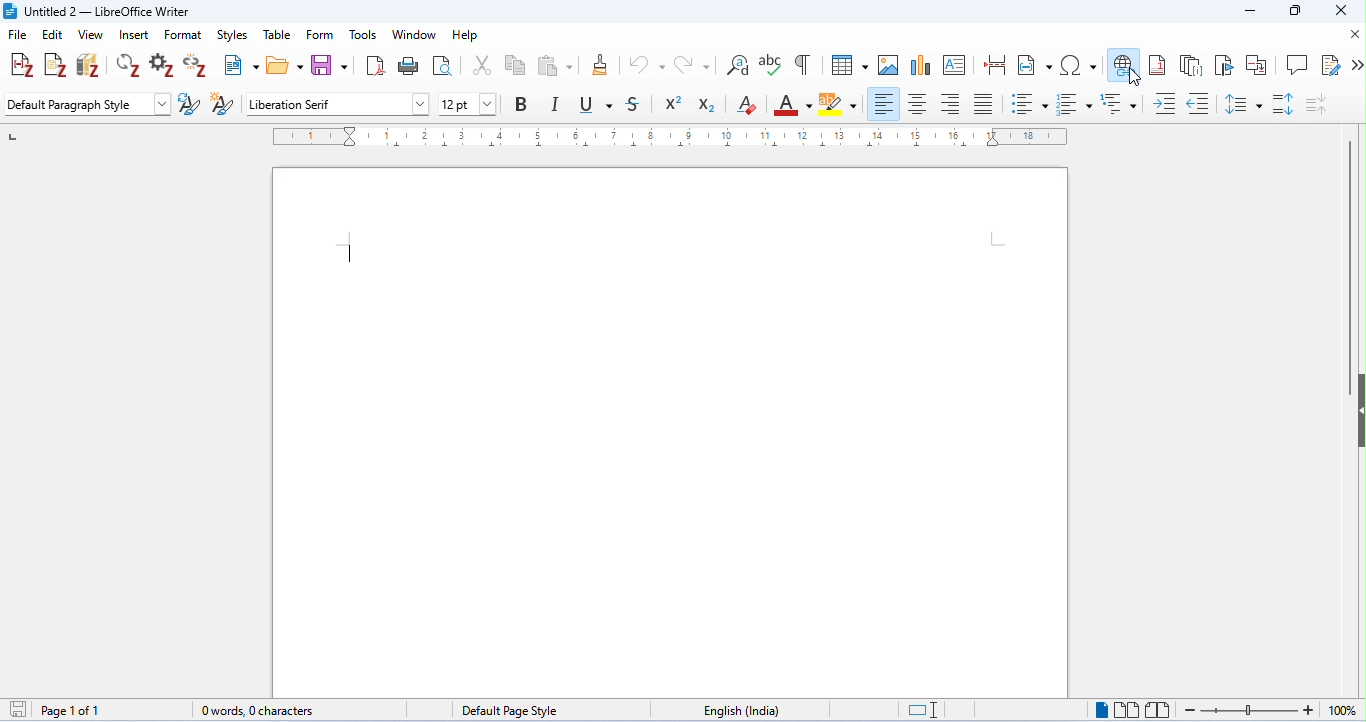 This screenshot has width=1366, height=722. What do you see at coordinates (1076, 105) in the screenshot?
I see `numbered style` at bounding box center [1076, 105].